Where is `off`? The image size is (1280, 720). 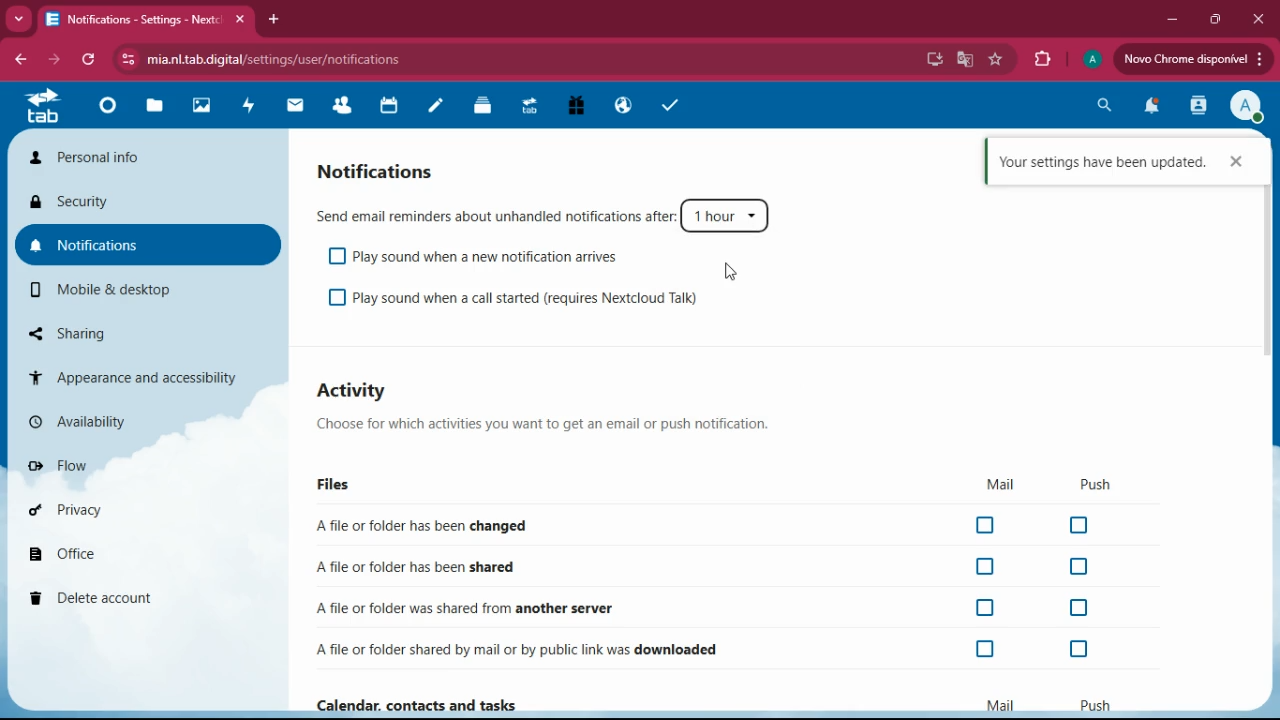 off is located at coordinates (984, 608).